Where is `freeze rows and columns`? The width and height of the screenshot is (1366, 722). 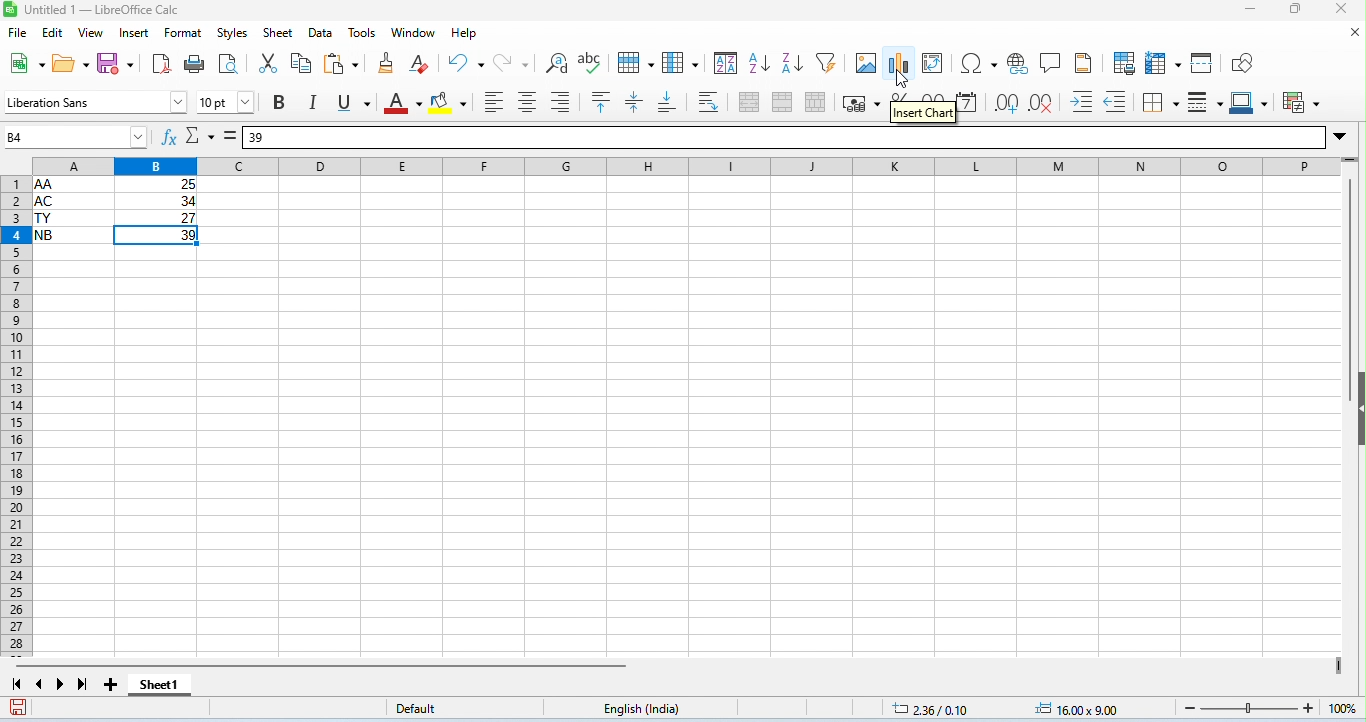
freeze rows and columns is located at coordinates (1163, 63).